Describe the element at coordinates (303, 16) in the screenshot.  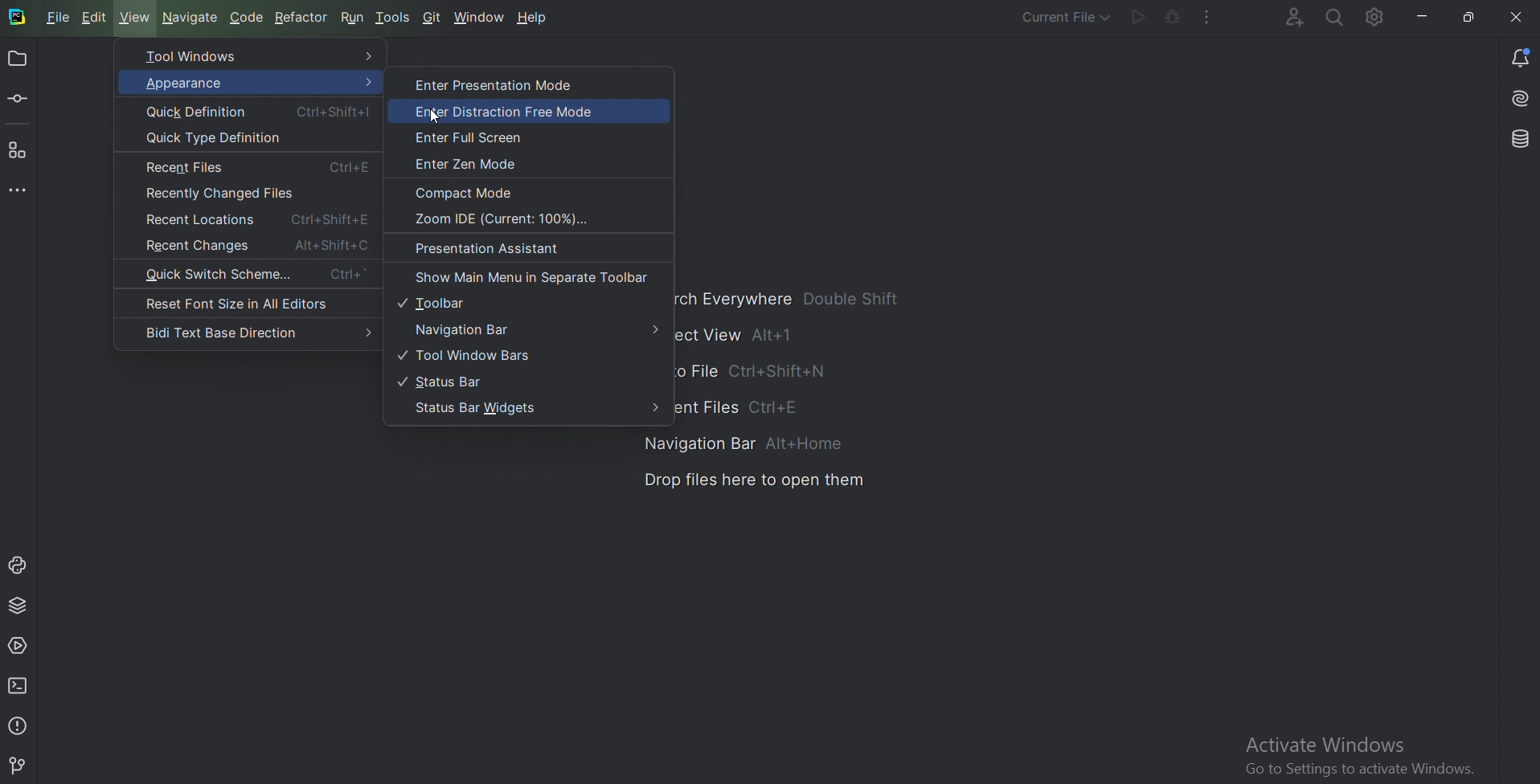
I see `Refactor` at that location.